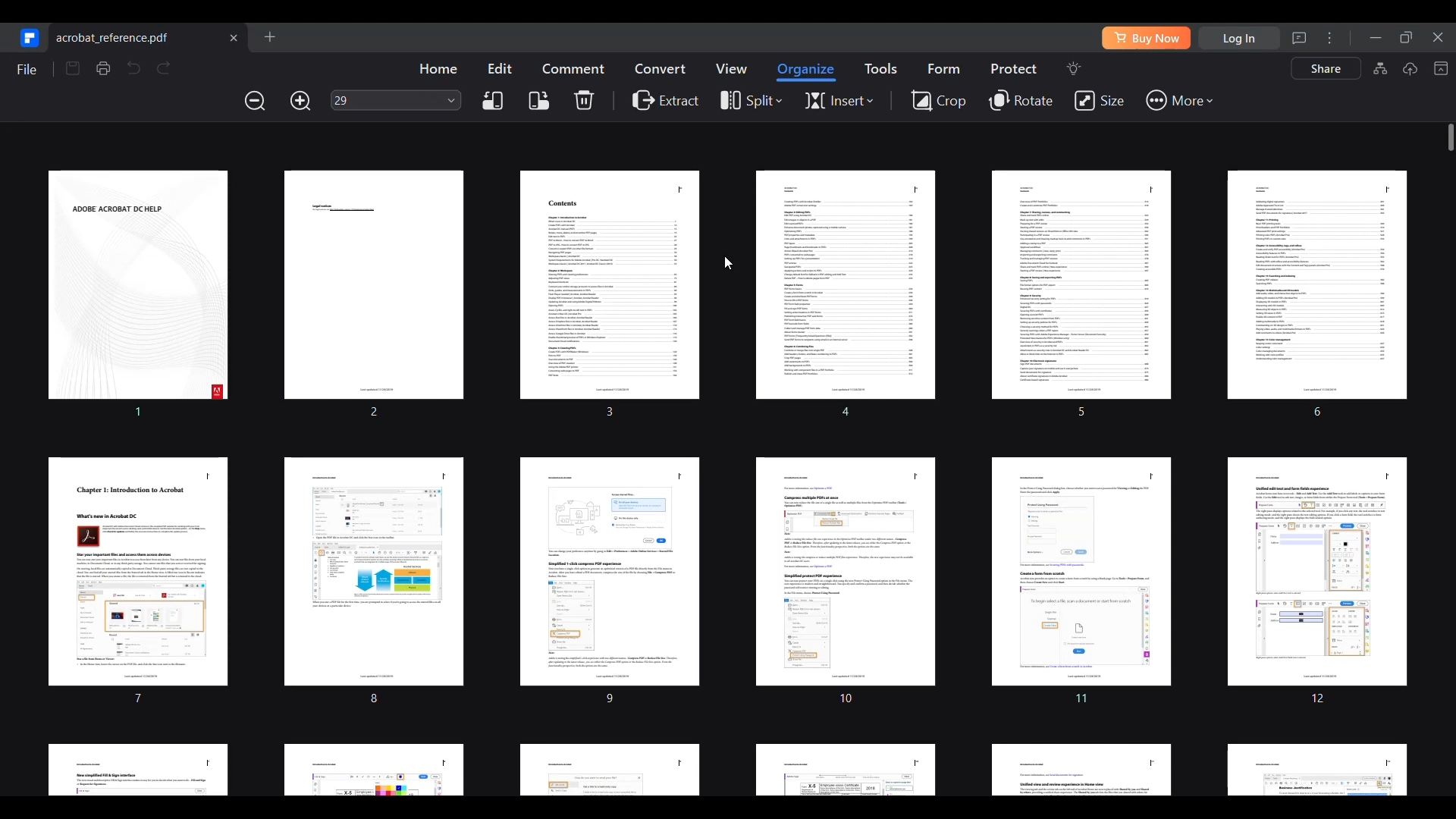 This screenshot has height=819, width=1456. Describe the element at coordinates (1239, 38) in the screenshot. I see `Log in using mail` at that location.